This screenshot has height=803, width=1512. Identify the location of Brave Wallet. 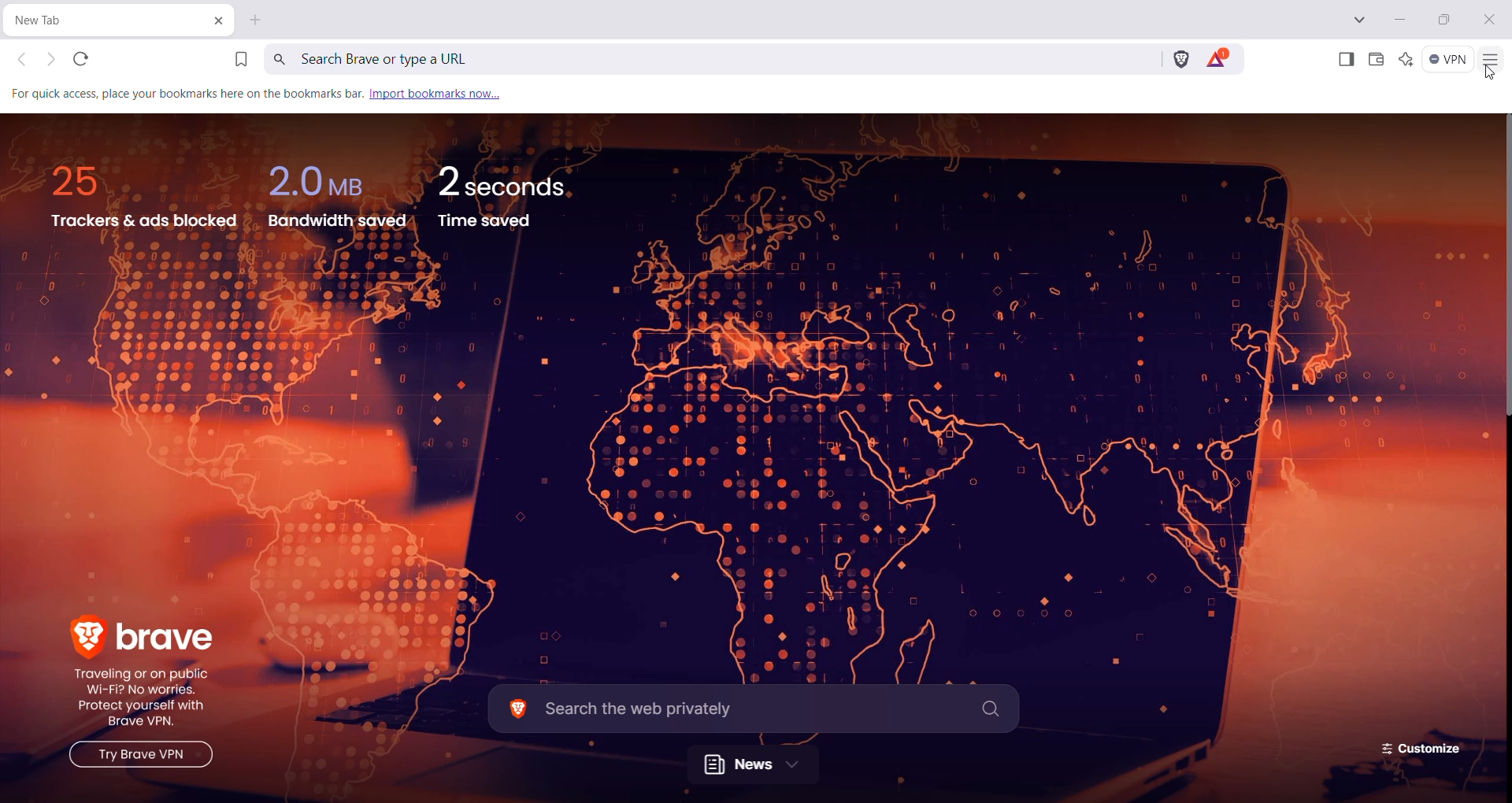
(1376, 58).